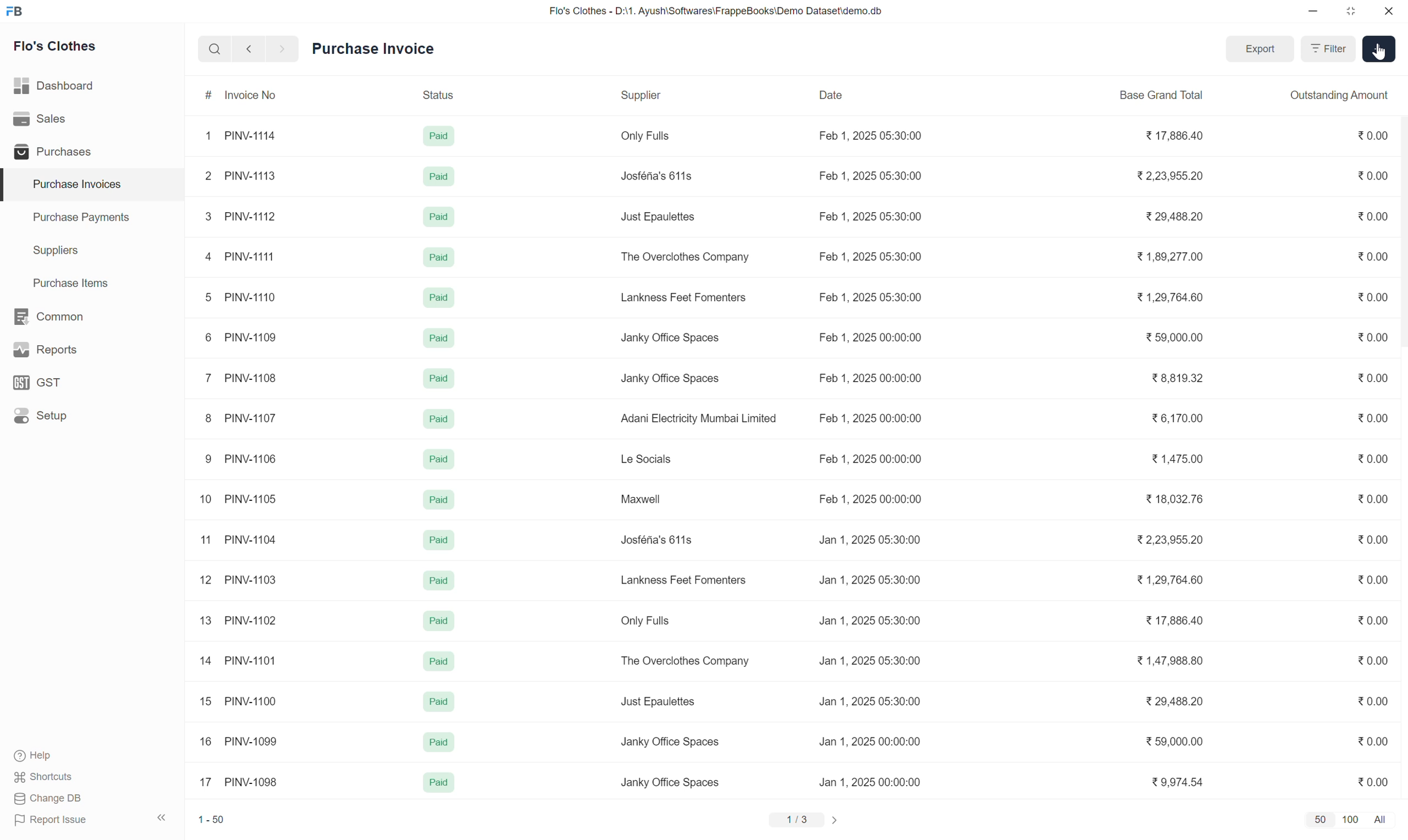  I want to click on 12 PINV-1103, so click(238, 580).